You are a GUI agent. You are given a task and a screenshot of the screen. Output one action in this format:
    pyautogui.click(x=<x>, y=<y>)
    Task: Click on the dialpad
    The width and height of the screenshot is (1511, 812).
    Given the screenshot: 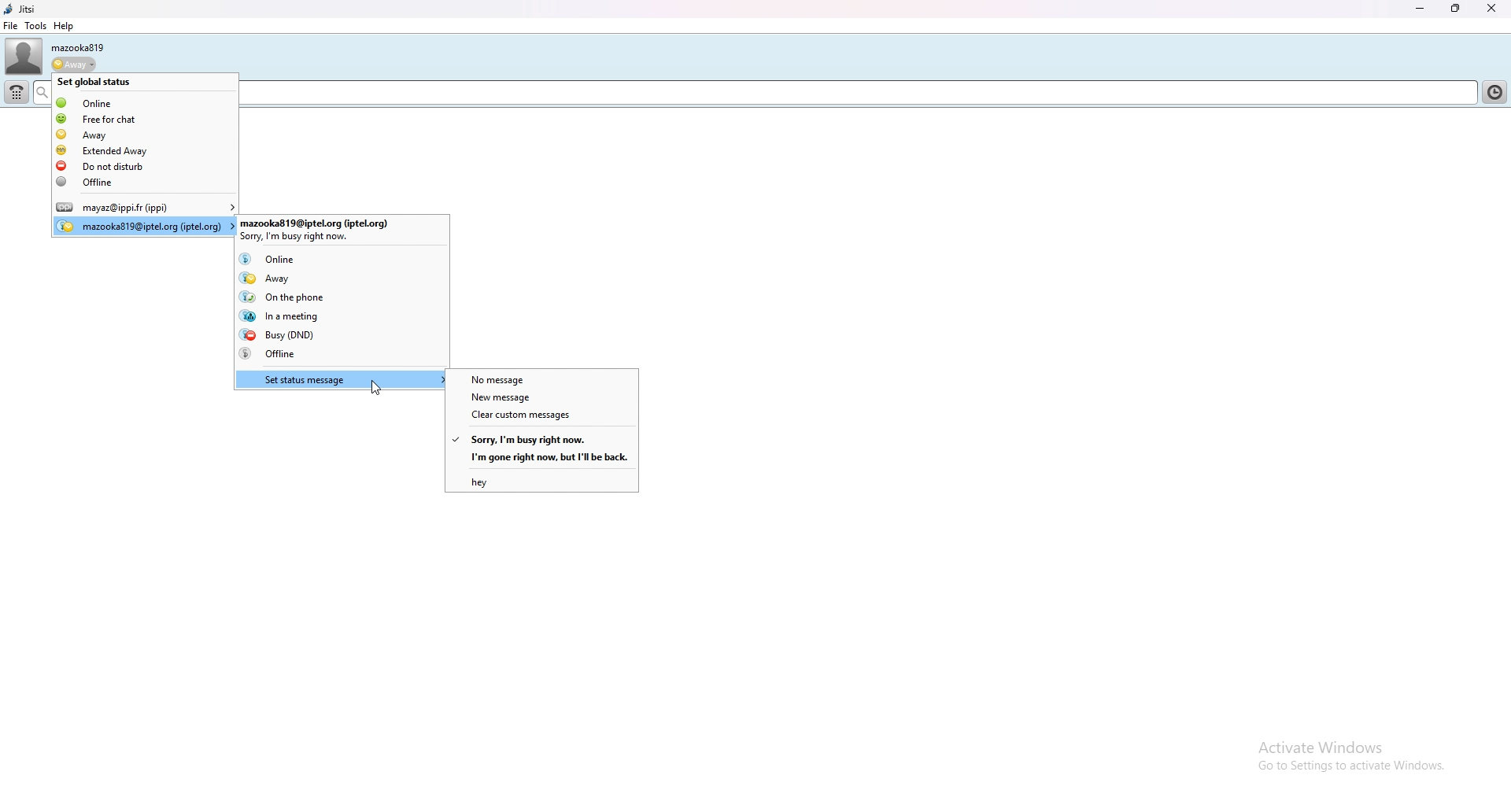 What is the action you would take?
    pyautogui.click(x=17, y=93)
    